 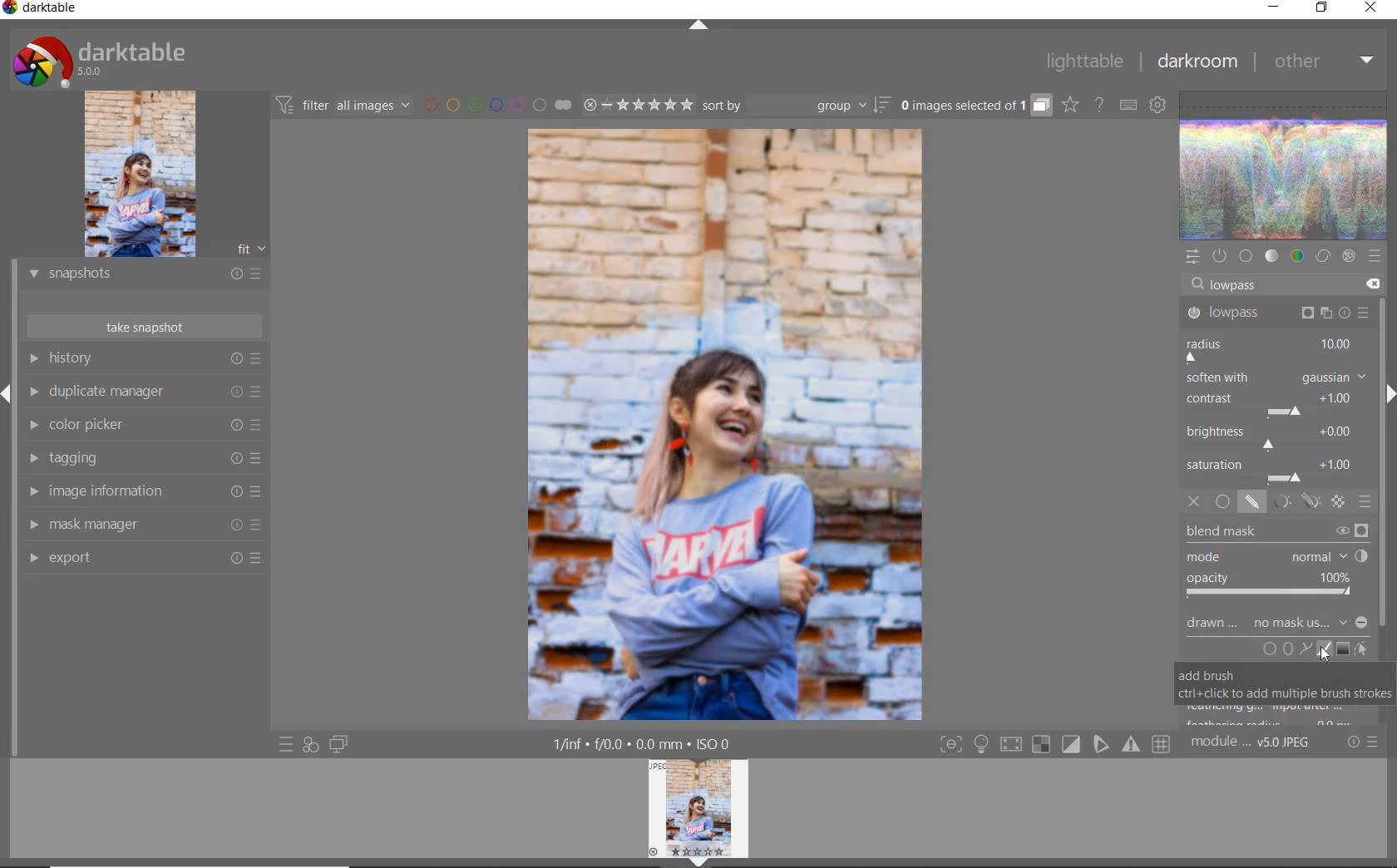 What do you see at coordinates (144, 277) in the screenshot?
I see `snapshots` at bounding box center [144, 277].